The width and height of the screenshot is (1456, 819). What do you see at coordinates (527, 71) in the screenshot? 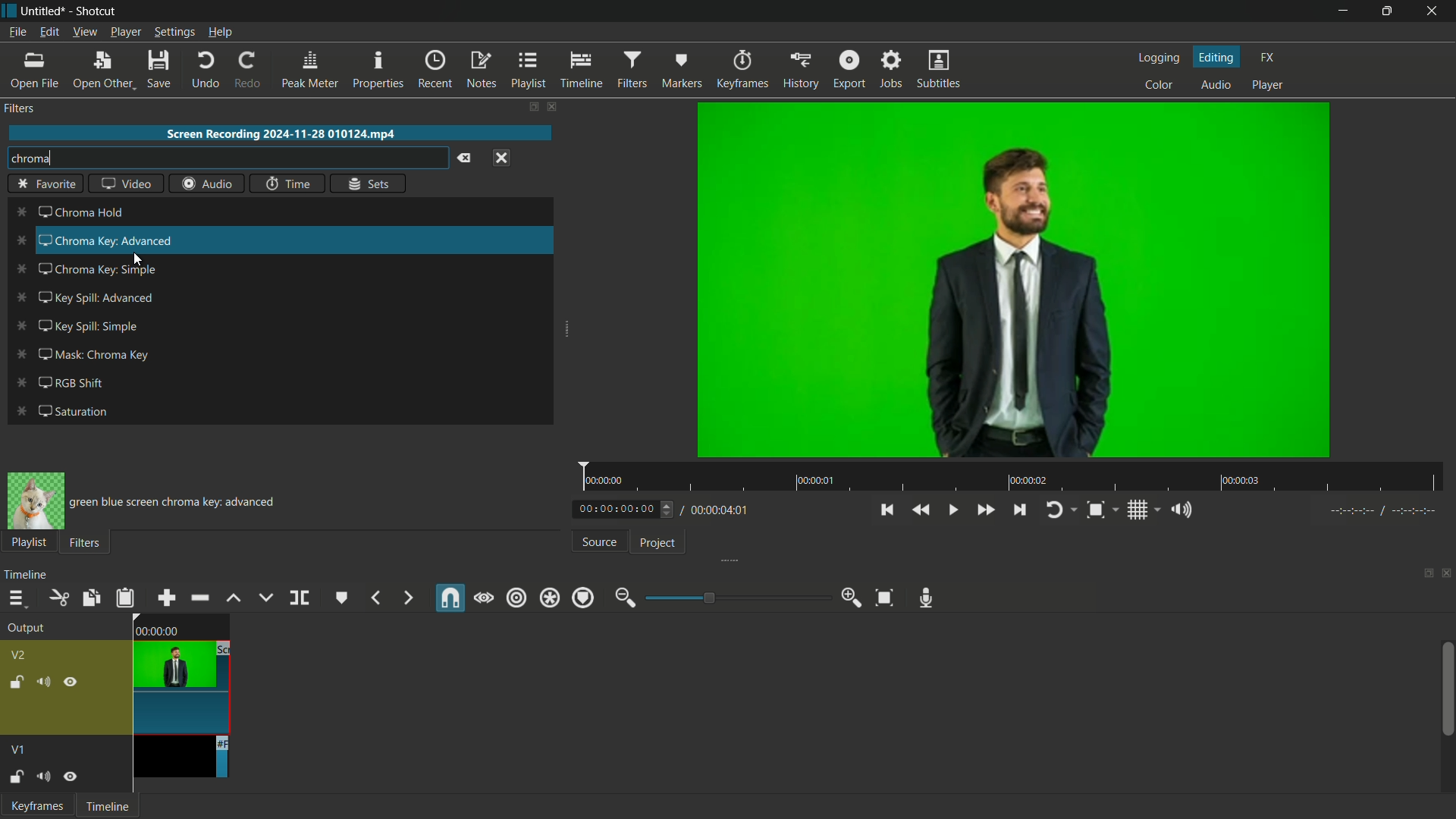
I see `playlist` at bounding box center [527, 71].